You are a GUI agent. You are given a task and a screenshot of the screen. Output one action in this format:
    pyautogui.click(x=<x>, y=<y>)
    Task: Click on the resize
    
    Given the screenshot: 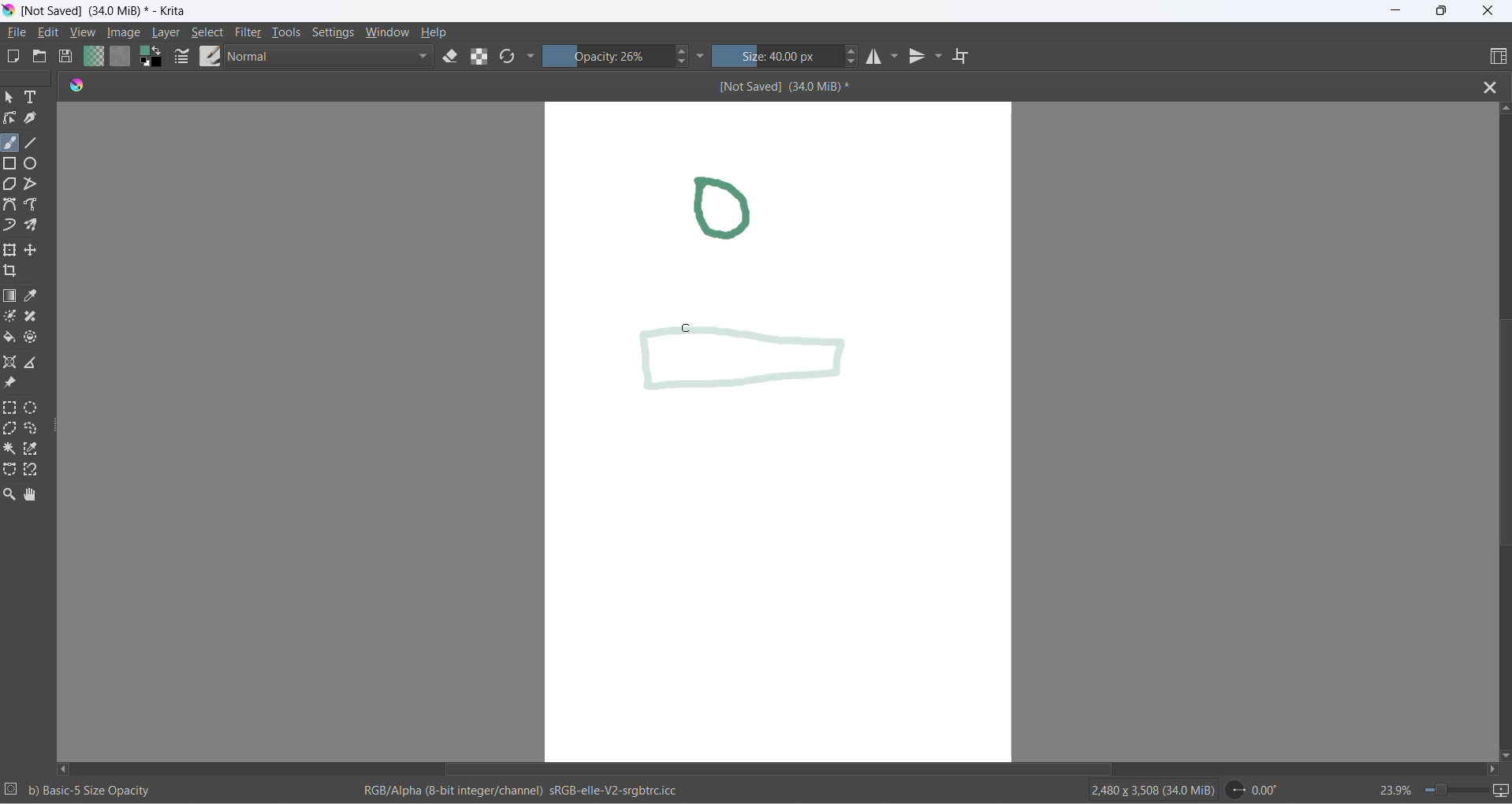 What is the action you would take?
    pyautogui.click(x=58, y=424)
    